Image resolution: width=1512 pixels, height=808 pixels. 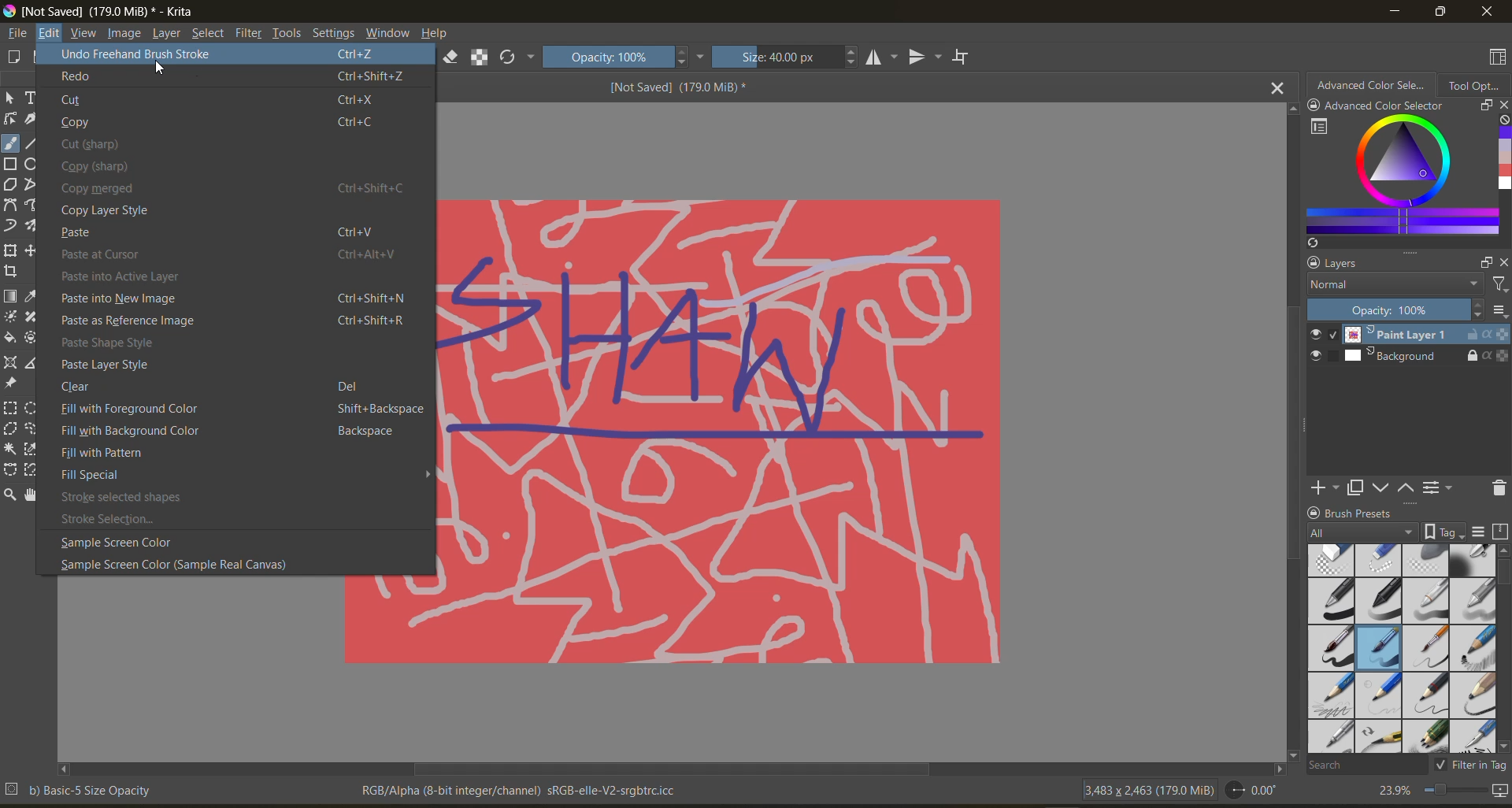 I want to click on stroke selection, so click(x=125, y=518).